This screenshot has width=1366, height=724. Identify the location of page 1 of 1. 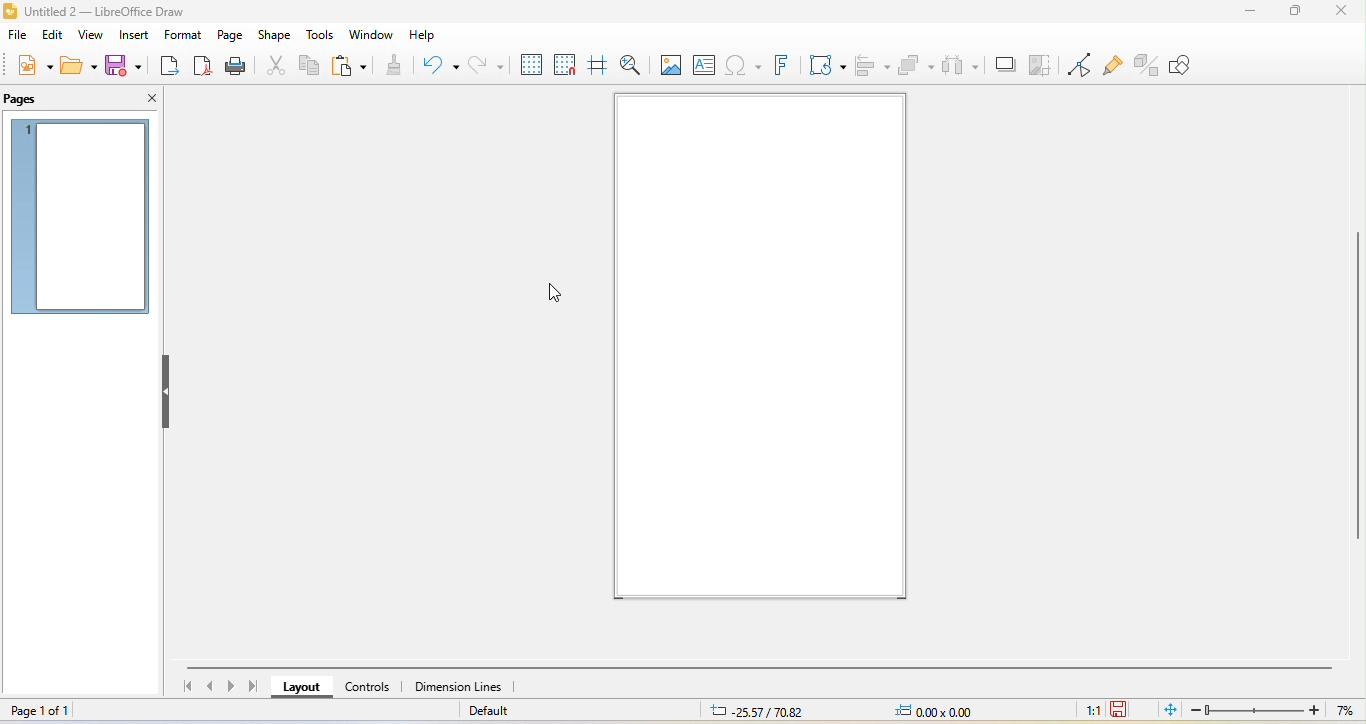
(50, 711).